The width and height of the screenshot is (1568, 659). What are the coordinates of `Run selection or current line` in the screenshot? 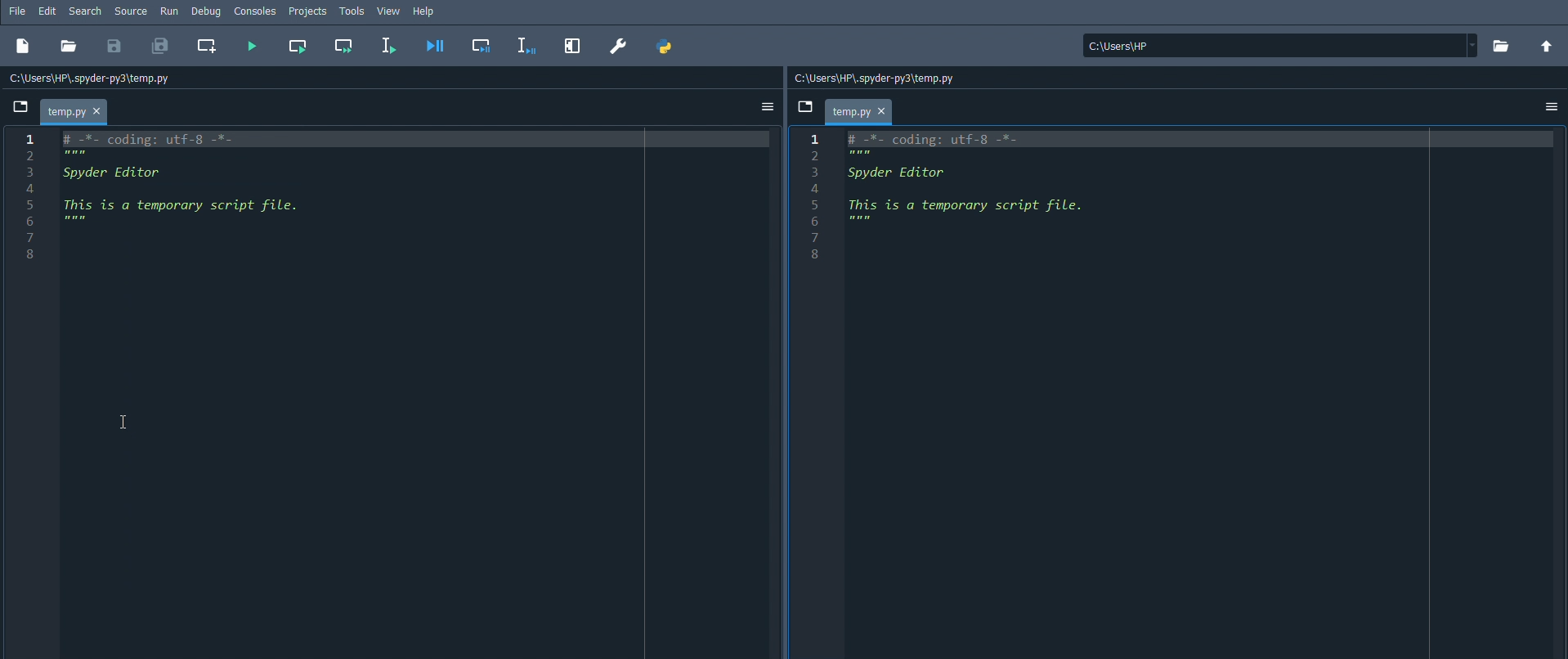 It's located at (390, 46).